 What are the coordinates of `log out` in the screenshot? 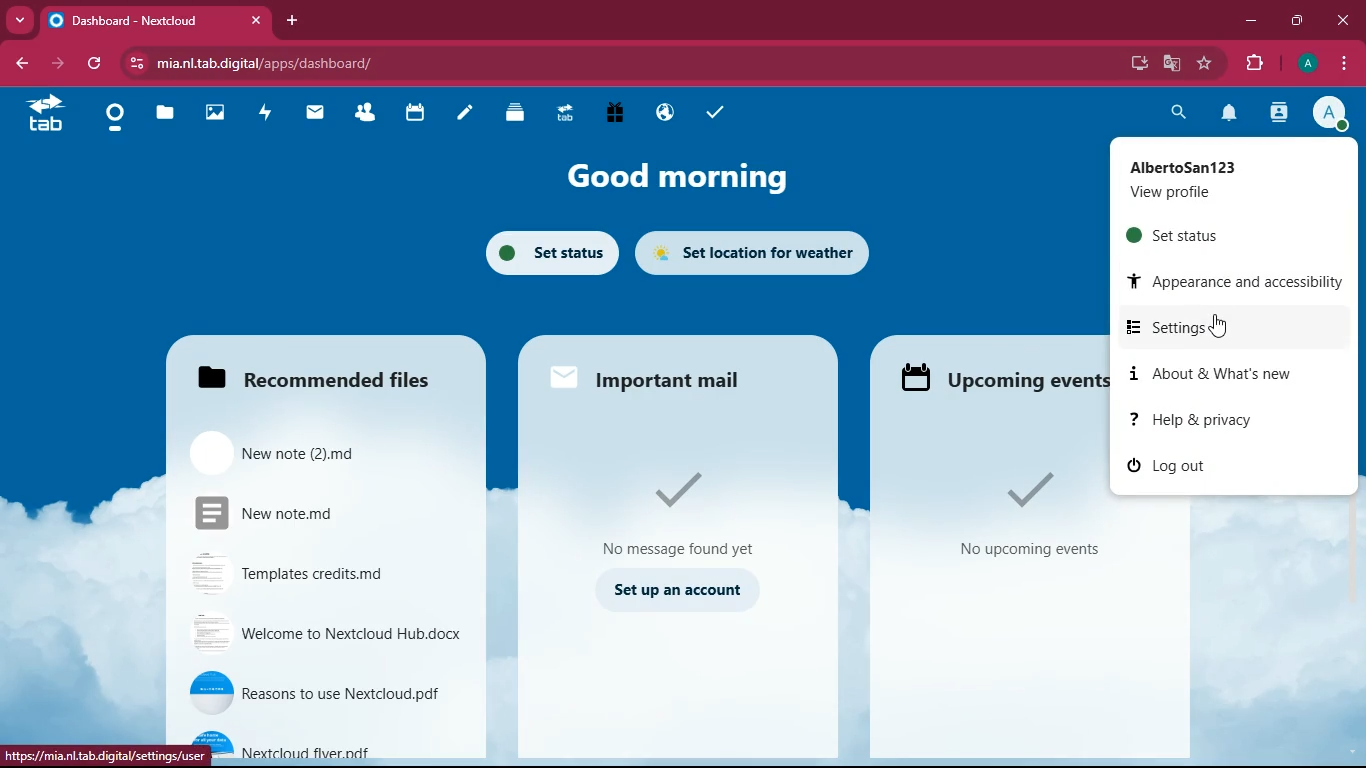 It's located at (1232, 470).